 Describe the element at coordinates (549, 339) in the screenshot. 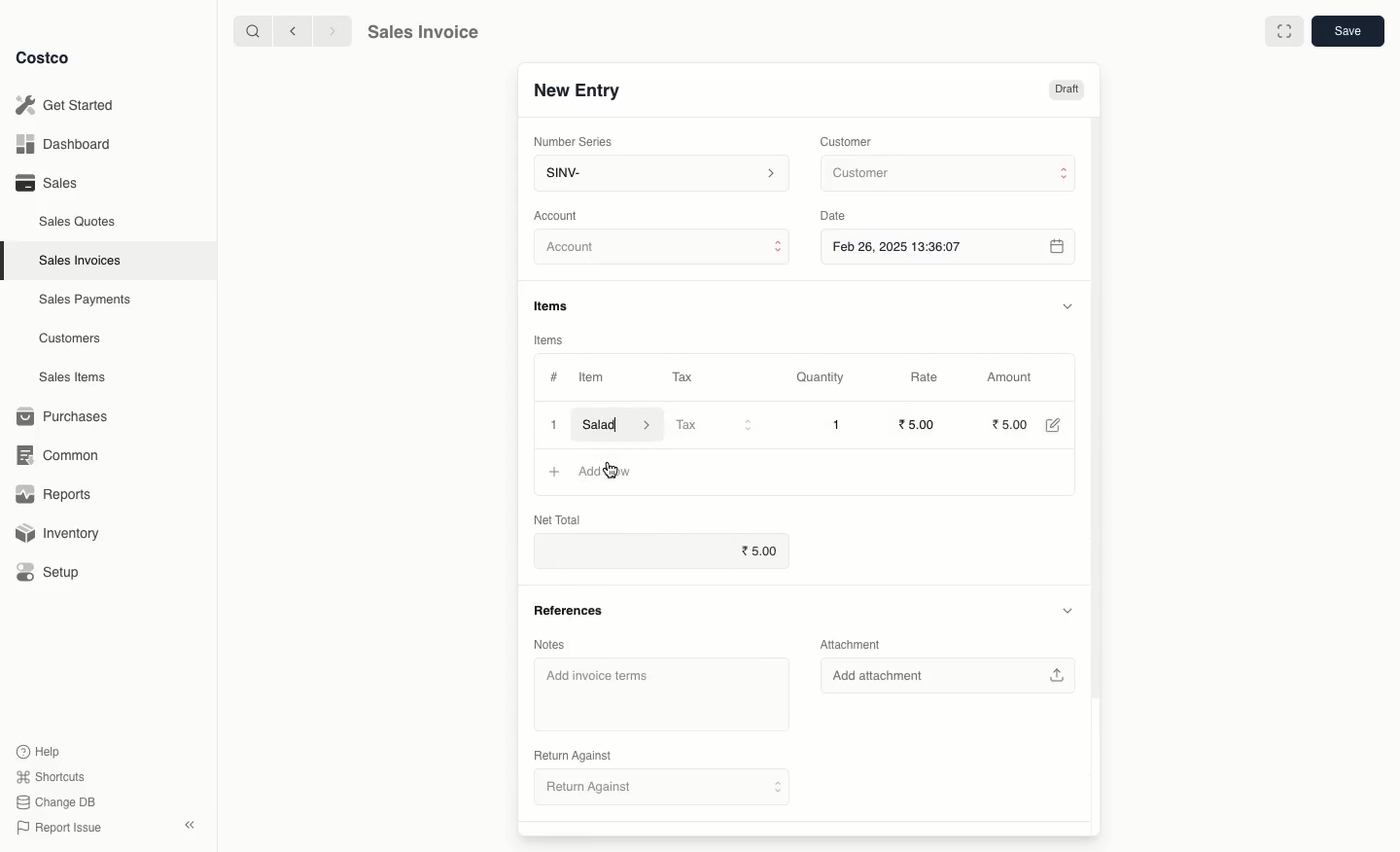

I see `Items` at that location.